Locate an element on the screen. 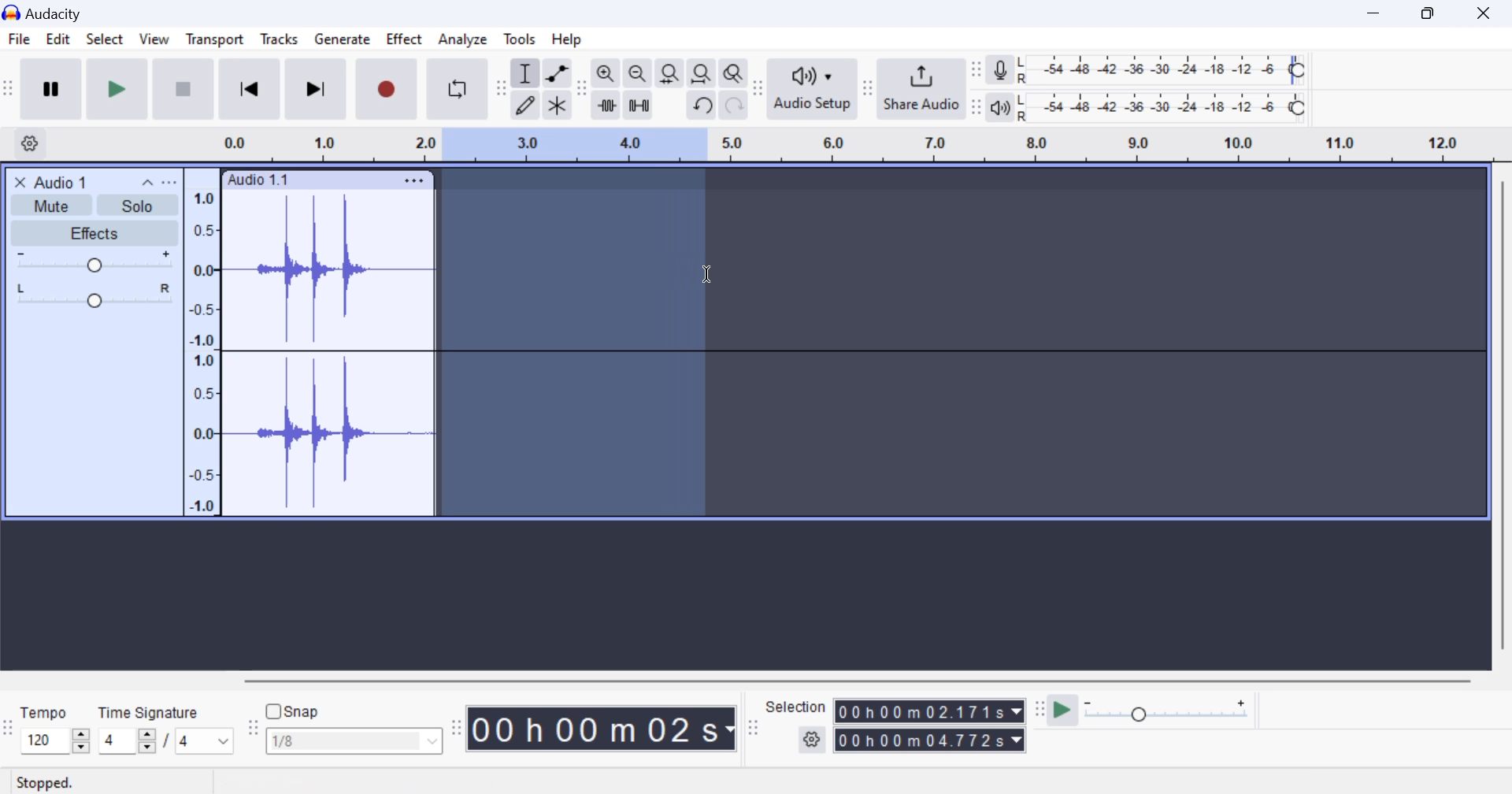 The height and width of the screenshot is (794, 1512). Clip Title is located at coordinates (68, 181).